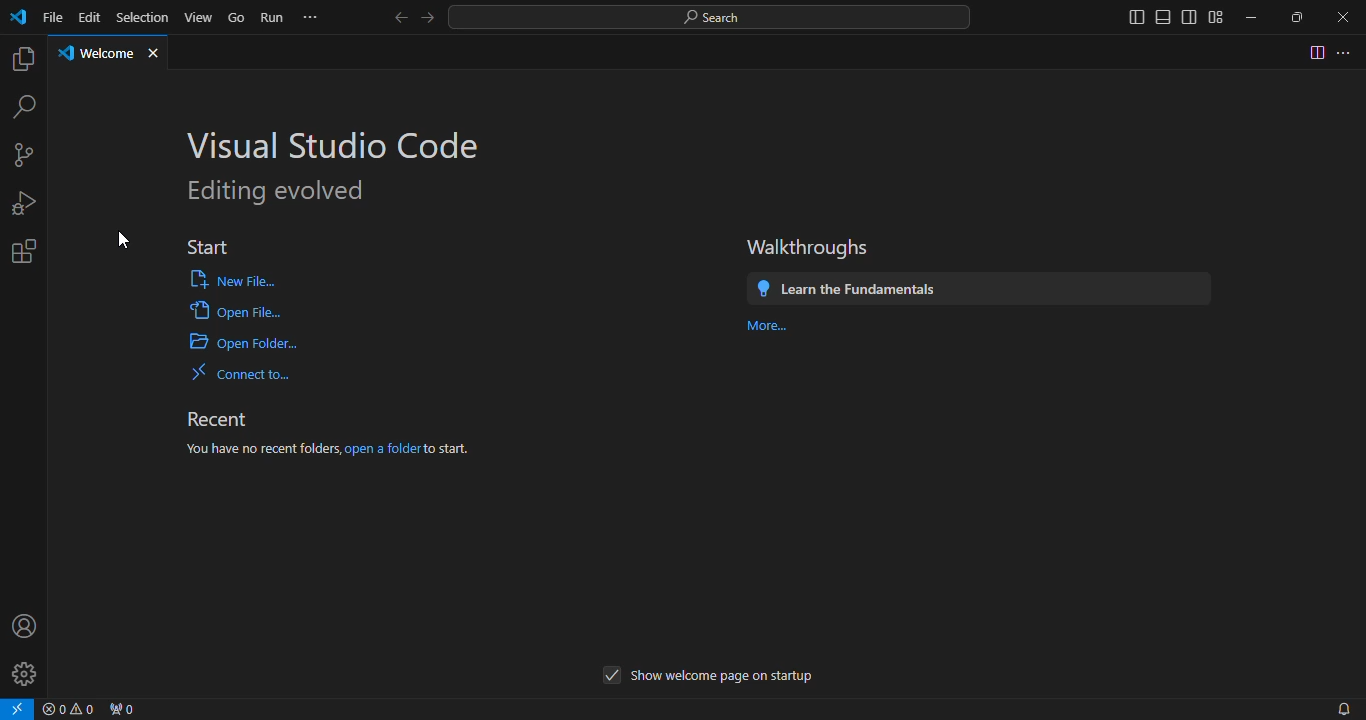 The image size is (1366, 720). I want to click on find, so click(23, 106).